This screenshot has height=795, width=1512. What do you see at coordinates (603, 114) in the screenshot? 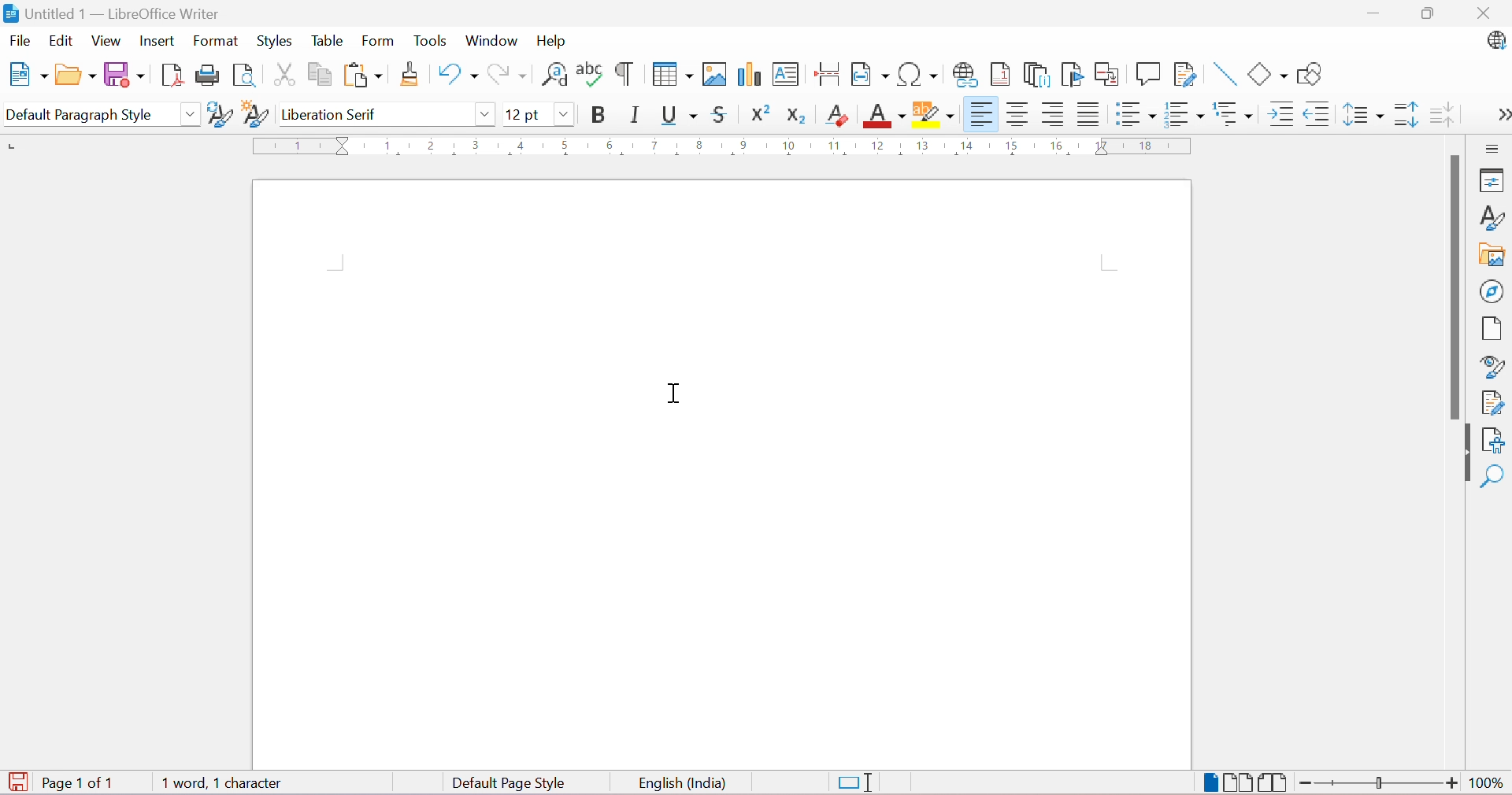
I see `Bold` at bounding box center [603, 114].